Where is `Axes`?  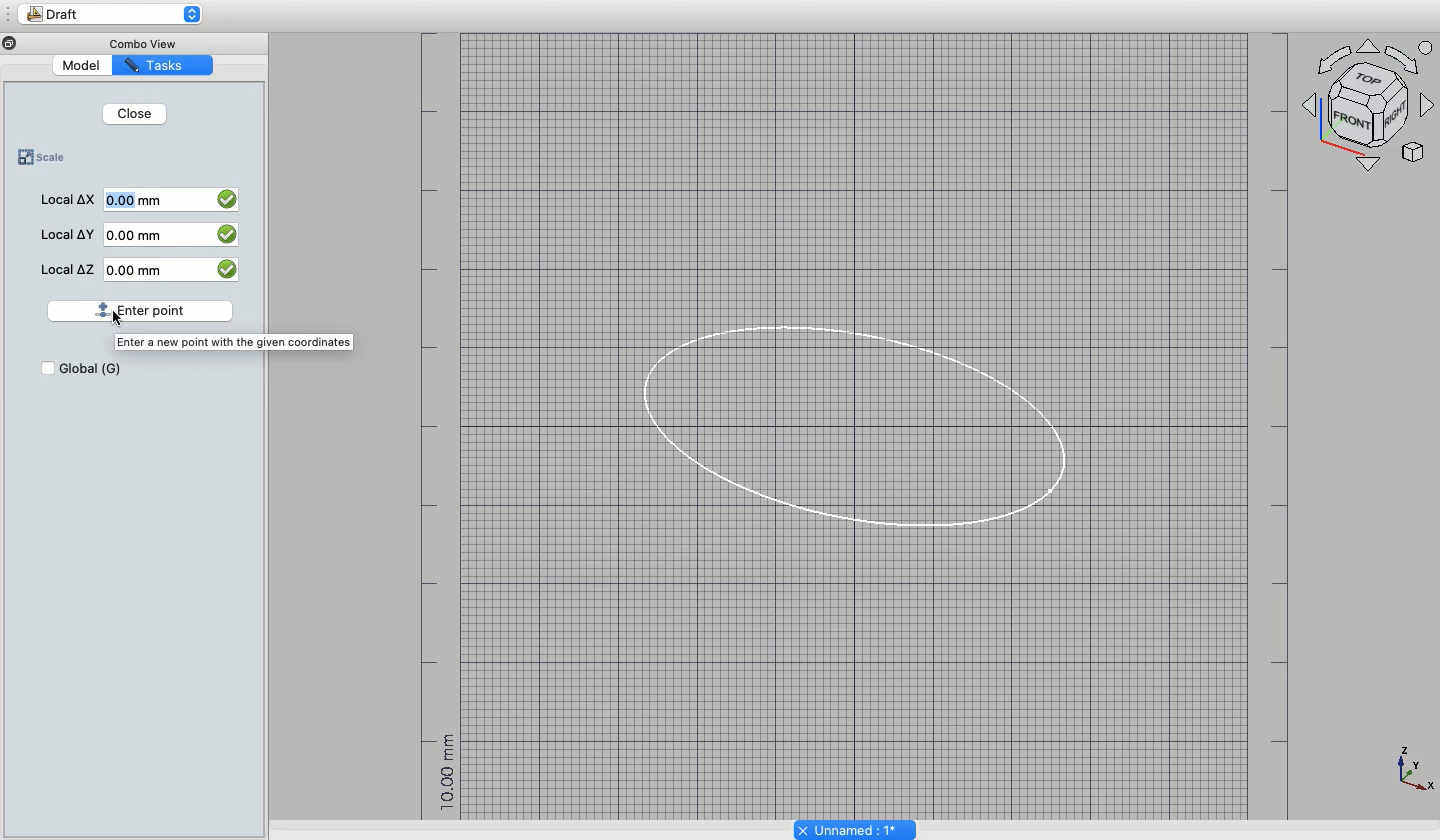 Axes is located at coordinates (1414, 773).